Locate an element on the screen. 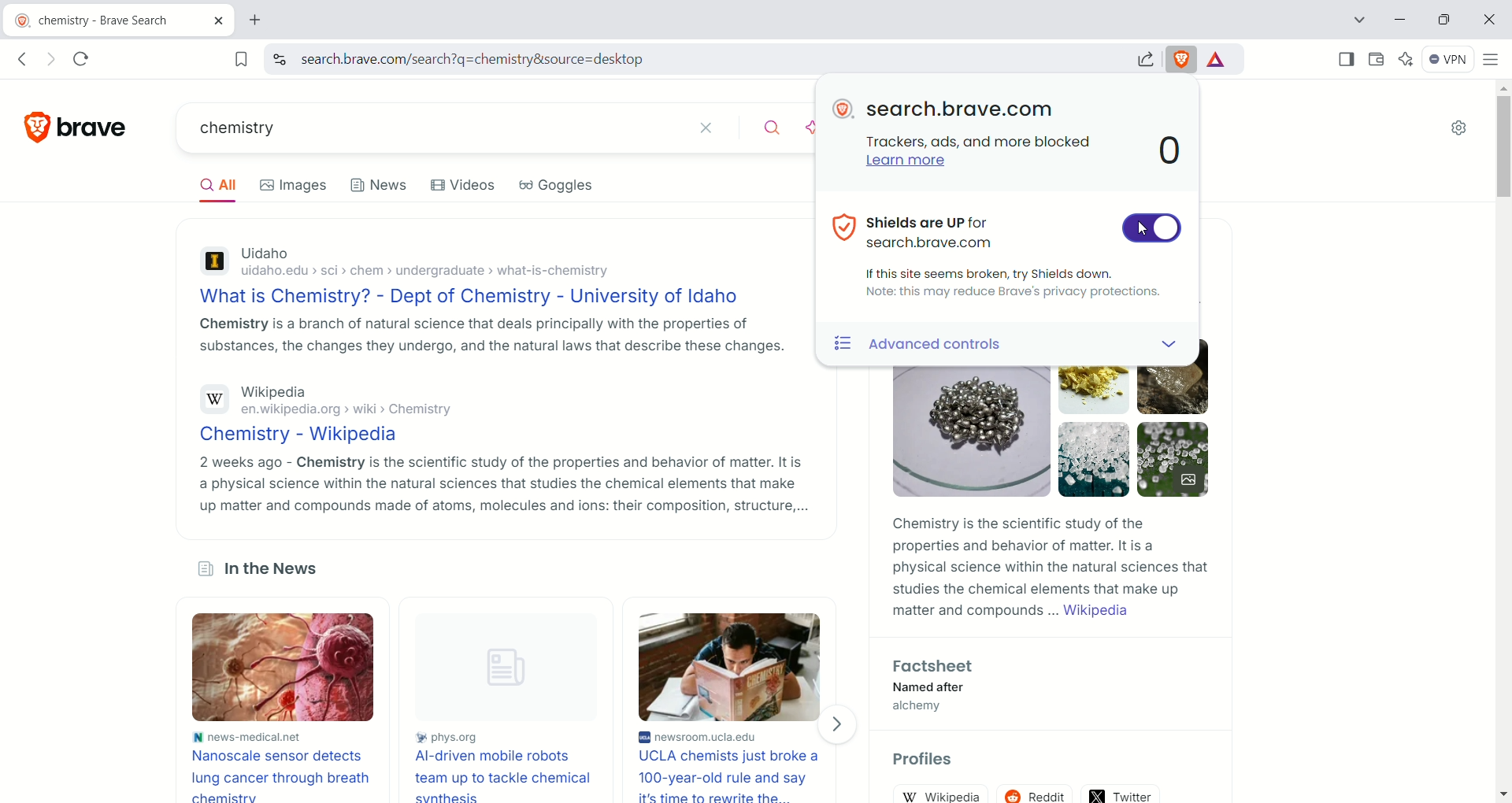  nanoscale sensor detects lung cancer through breath chemistry is located at coordinates (284, 774).